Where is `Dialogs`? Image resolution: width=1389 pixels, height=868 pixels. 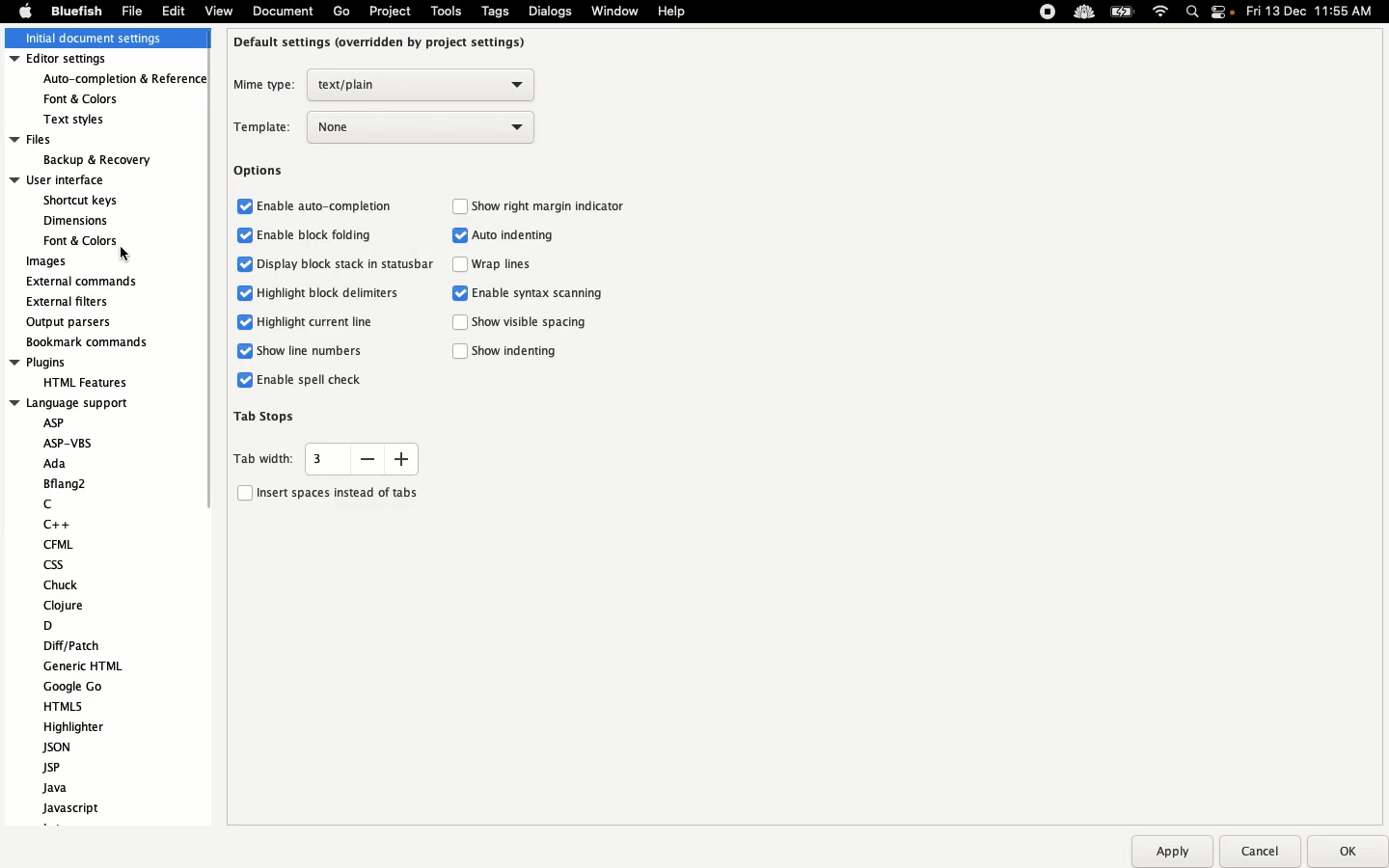 Dialogs is located at coordinates (550, 11).